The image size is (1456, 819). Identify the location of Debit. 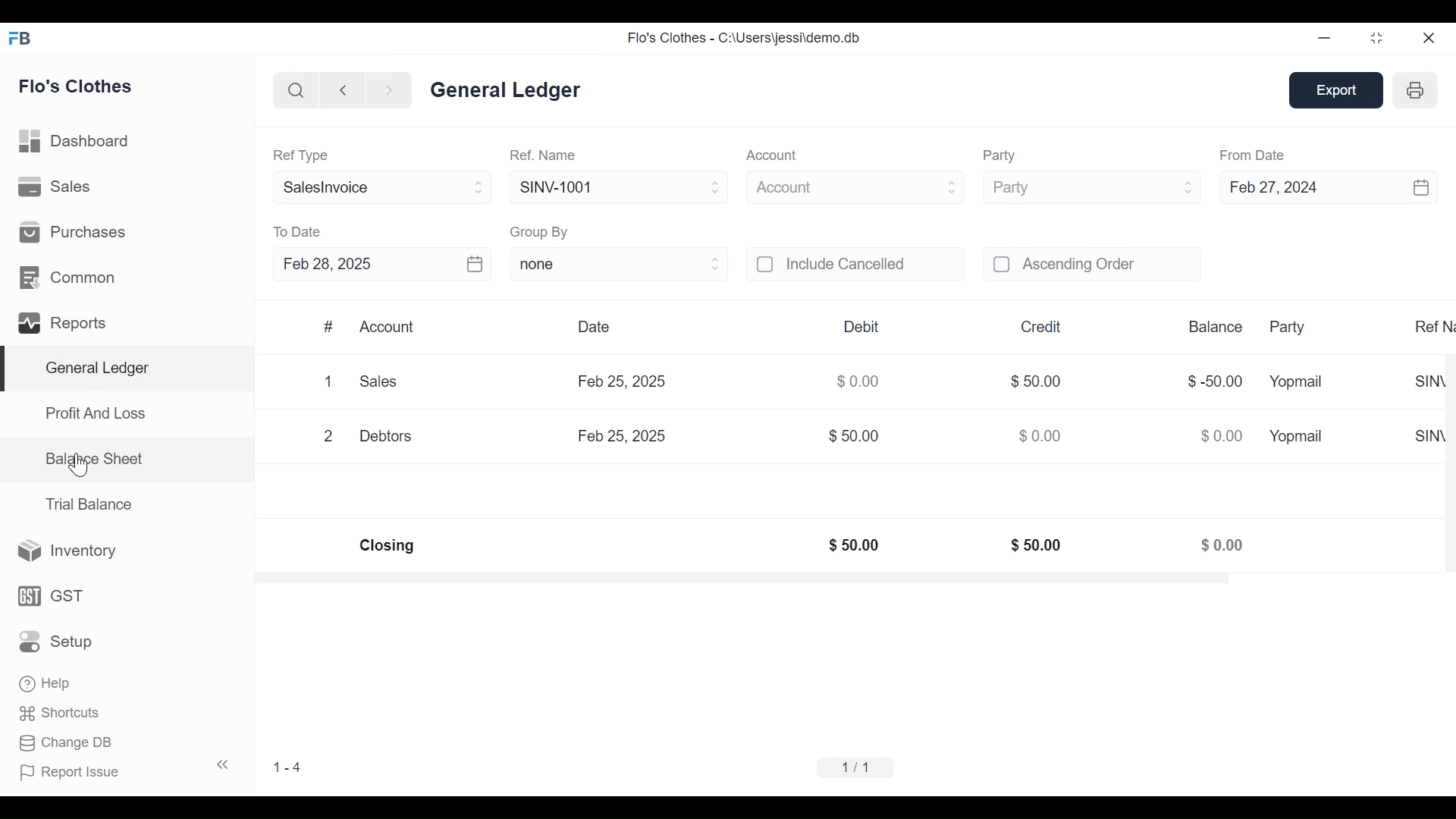
(864, 327).